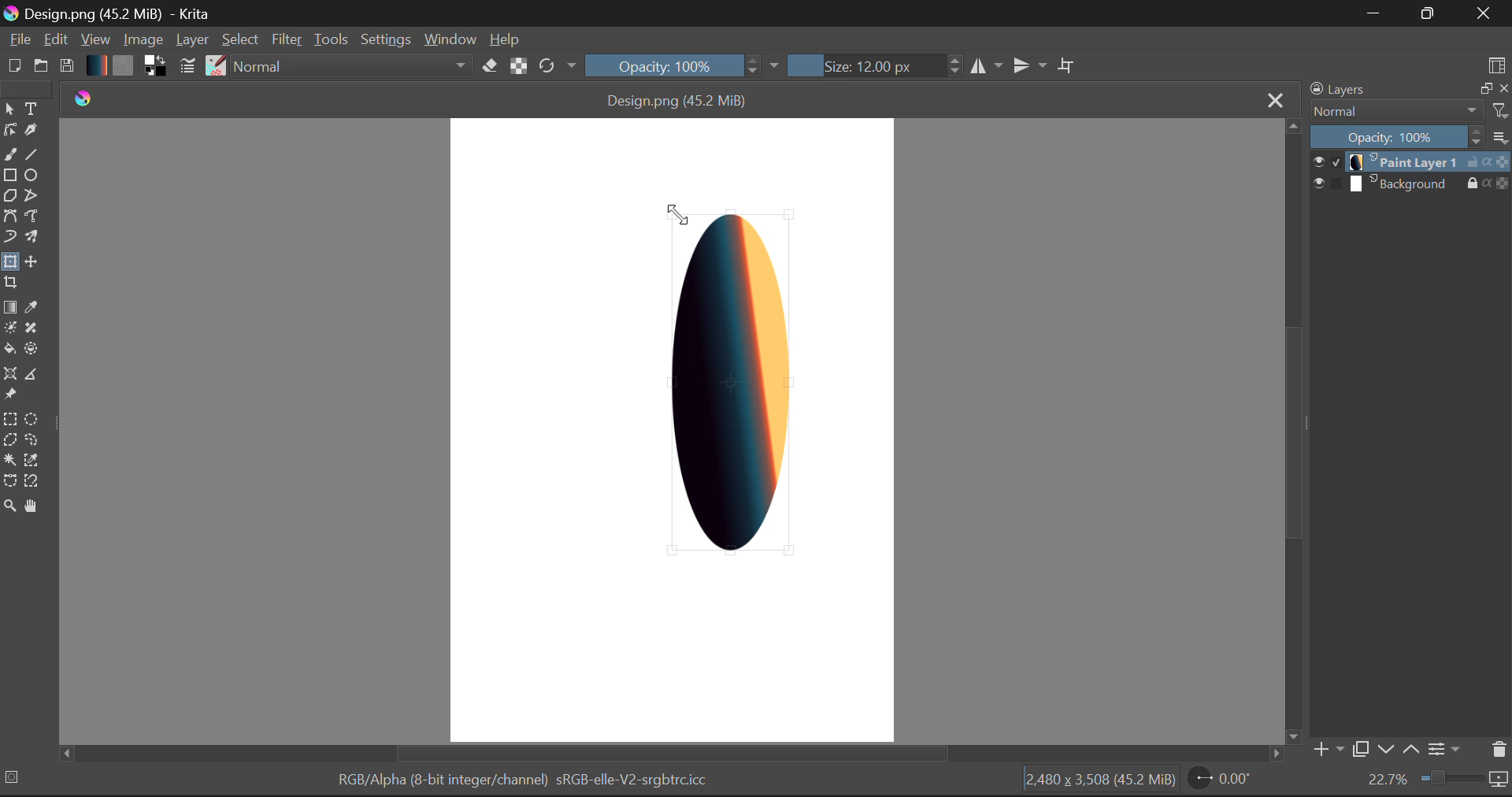  What do you see at coordinates (1409, 89) in the screenshot?
I see `Layers Docker Tab` at bounding box center [1409, 89].